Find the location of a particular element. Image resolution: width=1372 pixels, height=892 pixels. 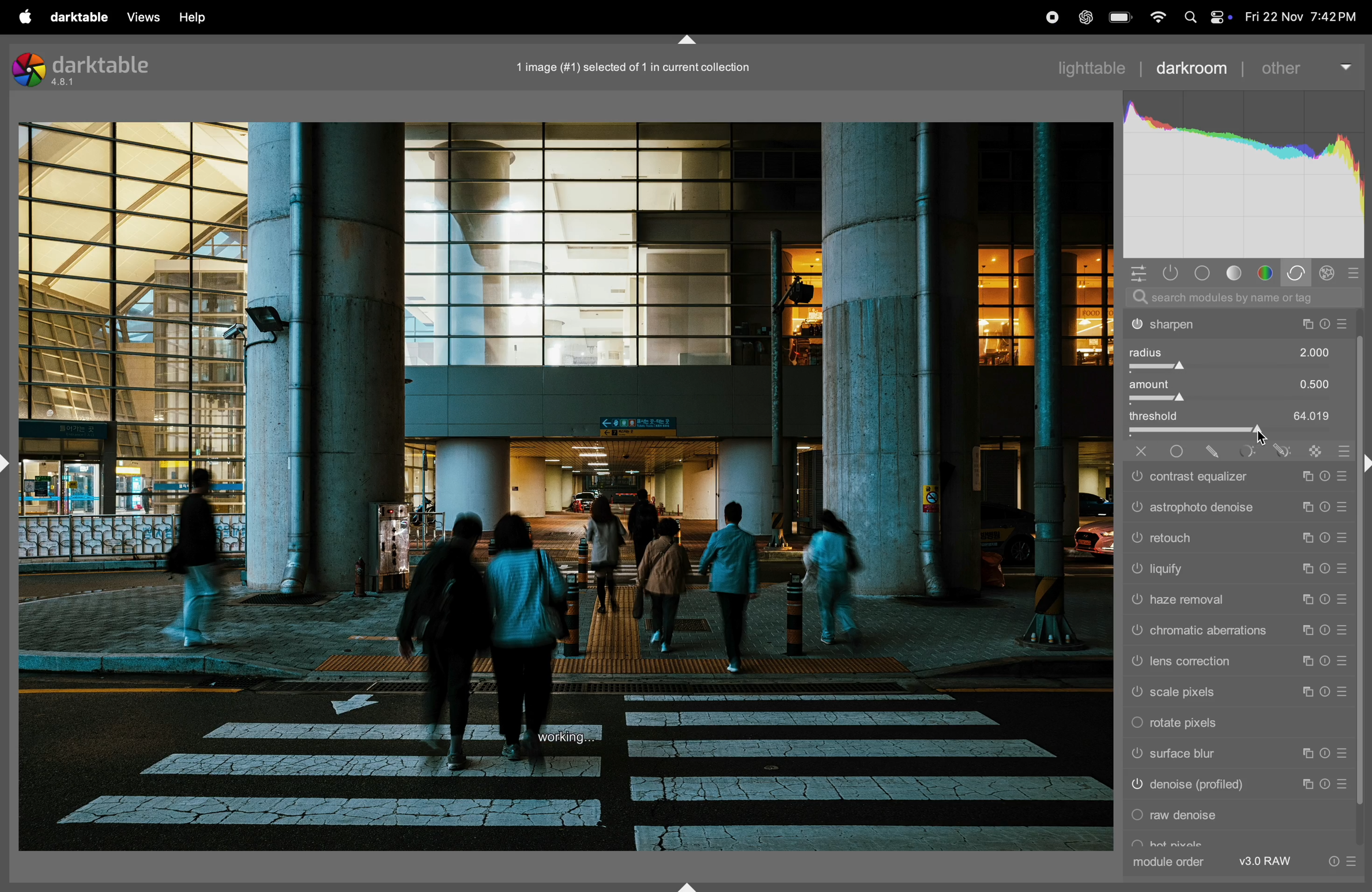

battery is located at coordinates (1121, 17).